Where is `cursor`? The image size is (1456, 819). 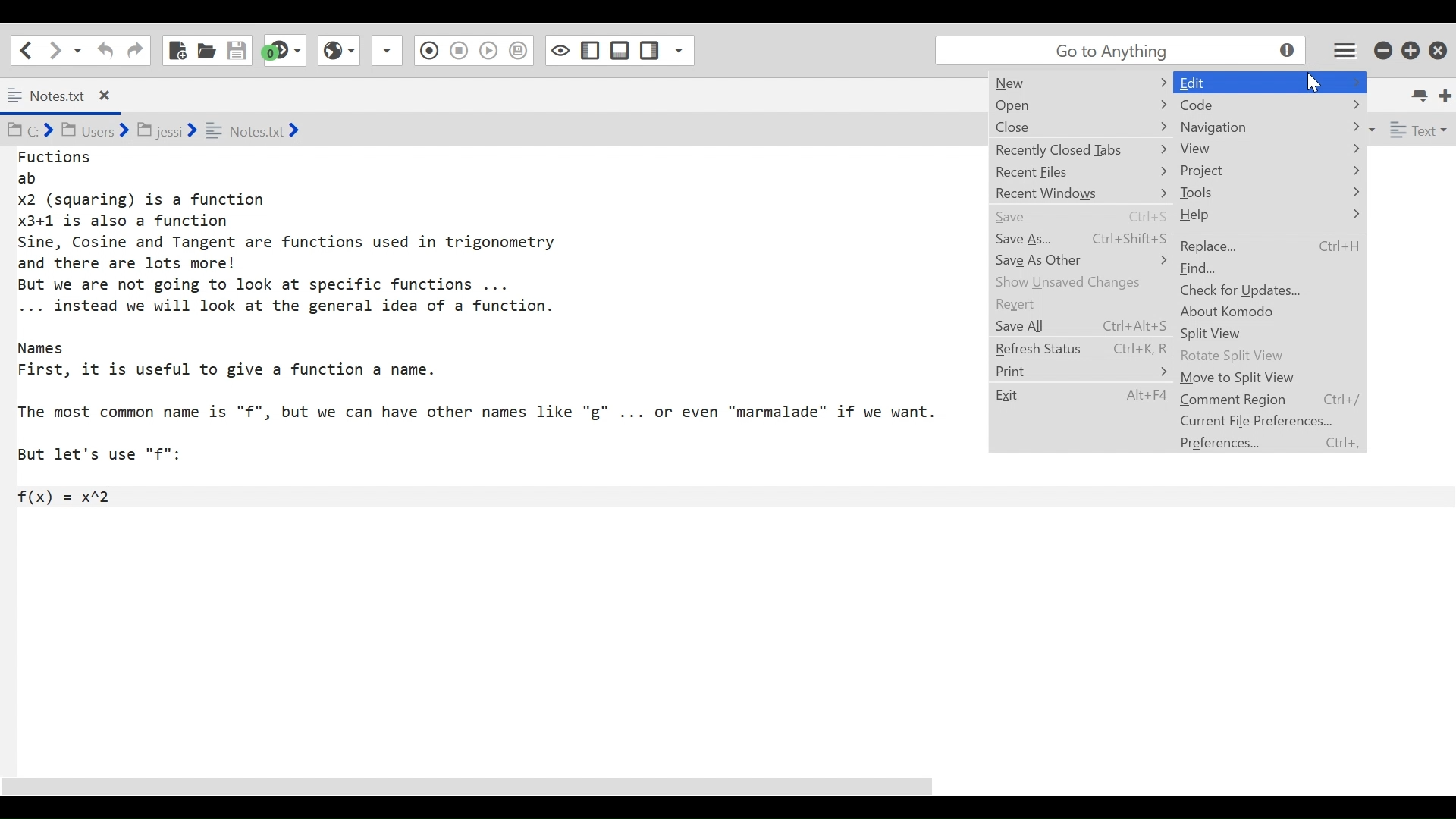
cursor is located at coordinates (1313, 84).